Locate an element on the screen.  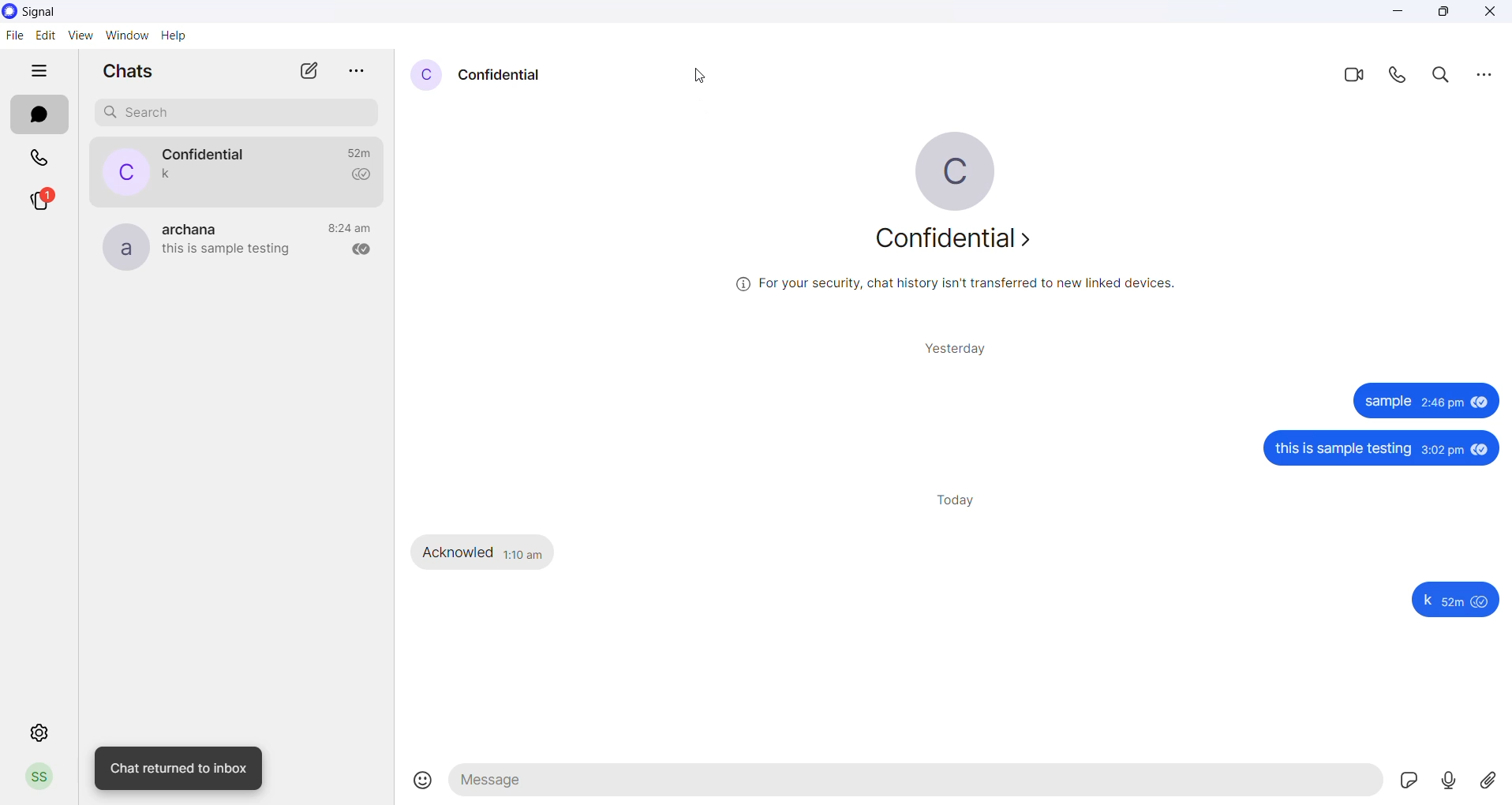
read recipient  is located at coordinates (363, 175).